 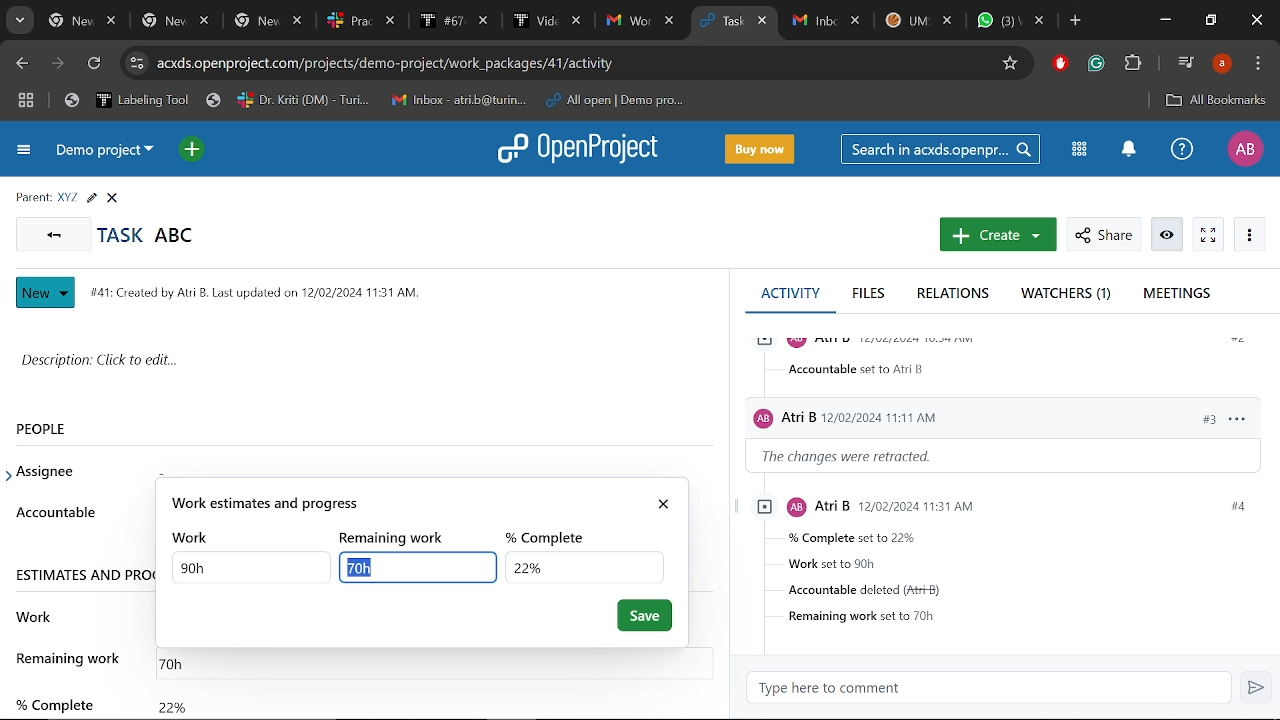 I want to click on Task infromstions, so click(x=1005, y=561).